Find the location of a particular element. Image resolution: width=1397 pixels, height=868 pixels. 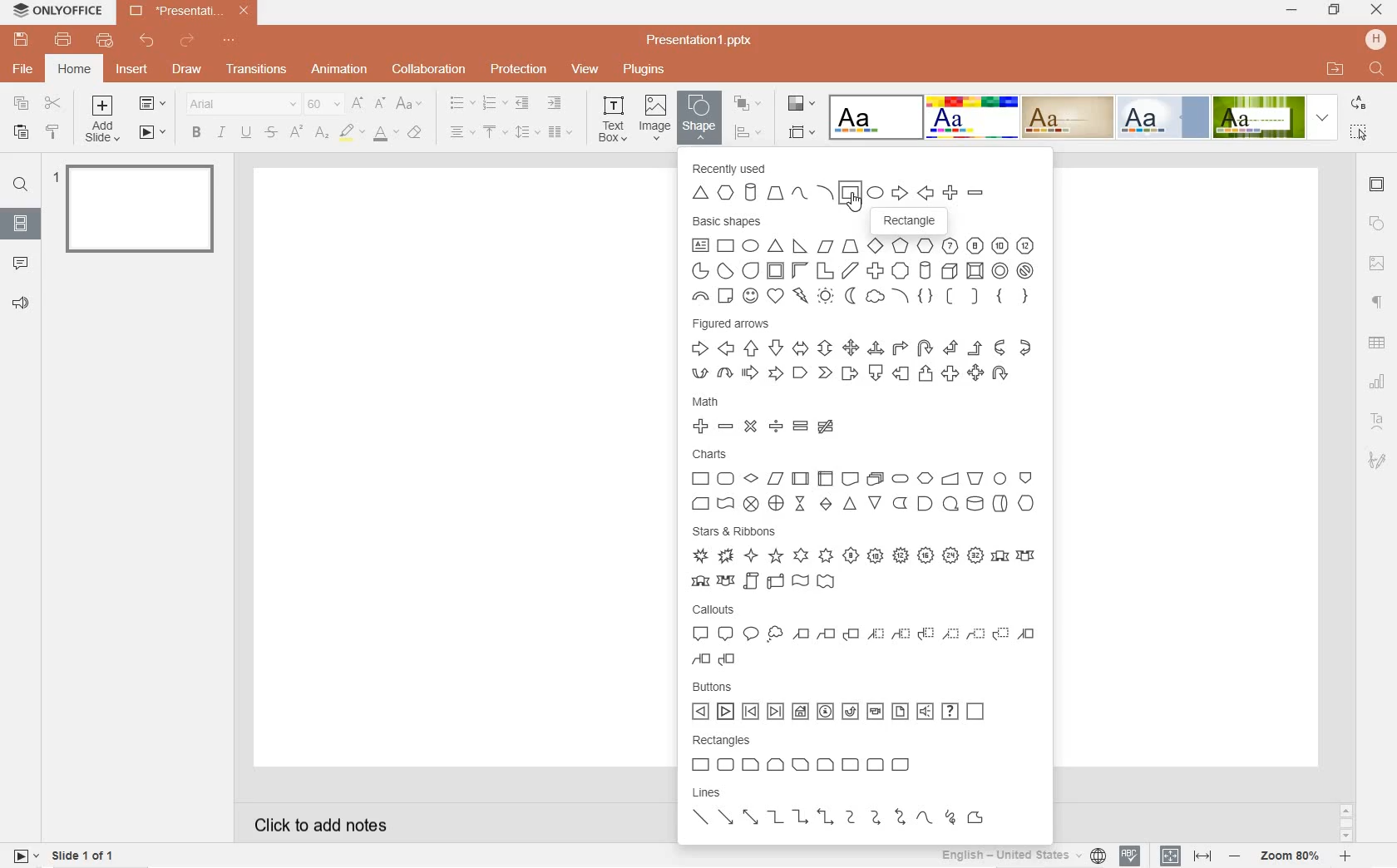

Cursor Position is located at coordinates (855, 202).